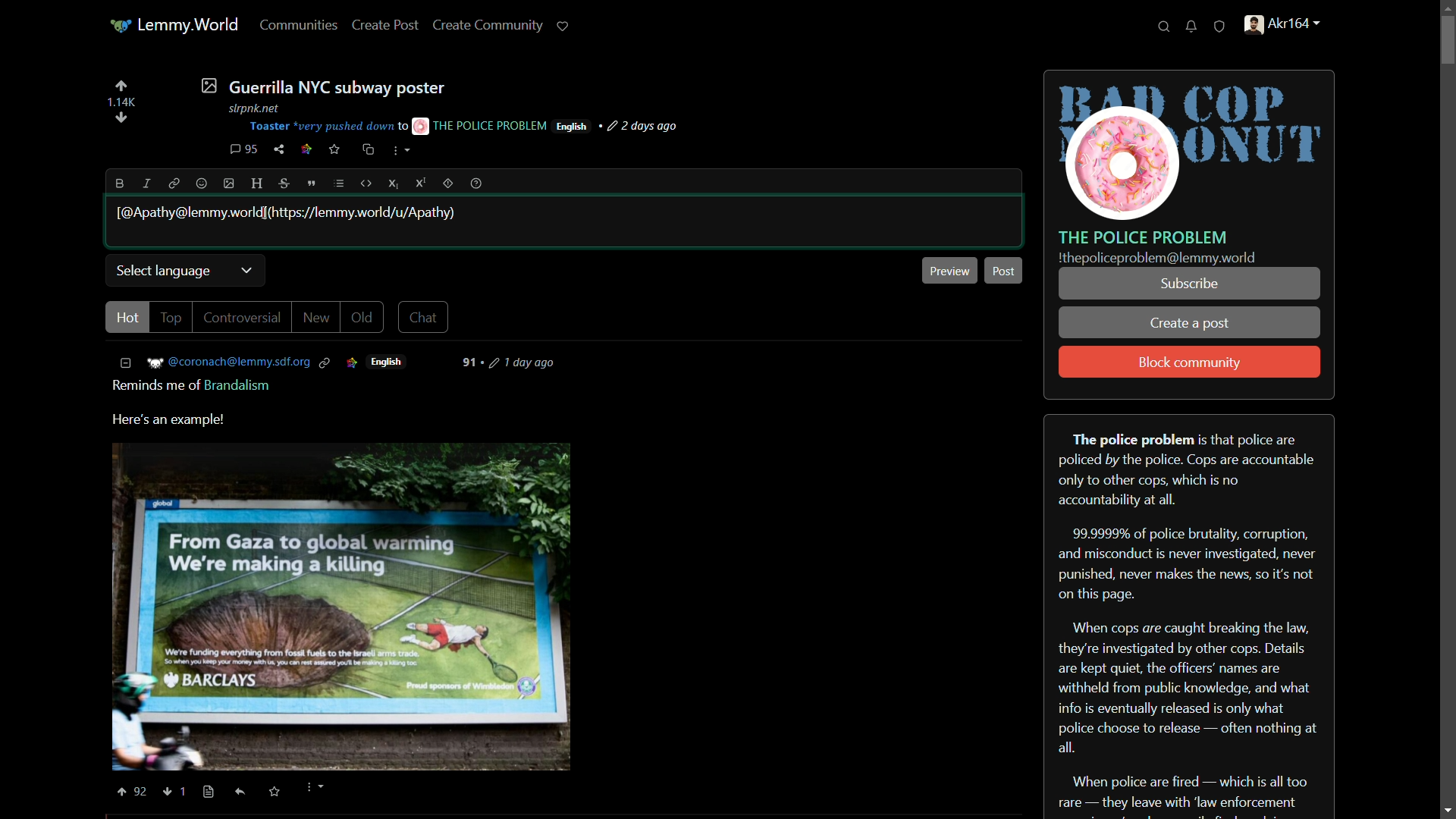  I want to click on more options, so click(398, 150).